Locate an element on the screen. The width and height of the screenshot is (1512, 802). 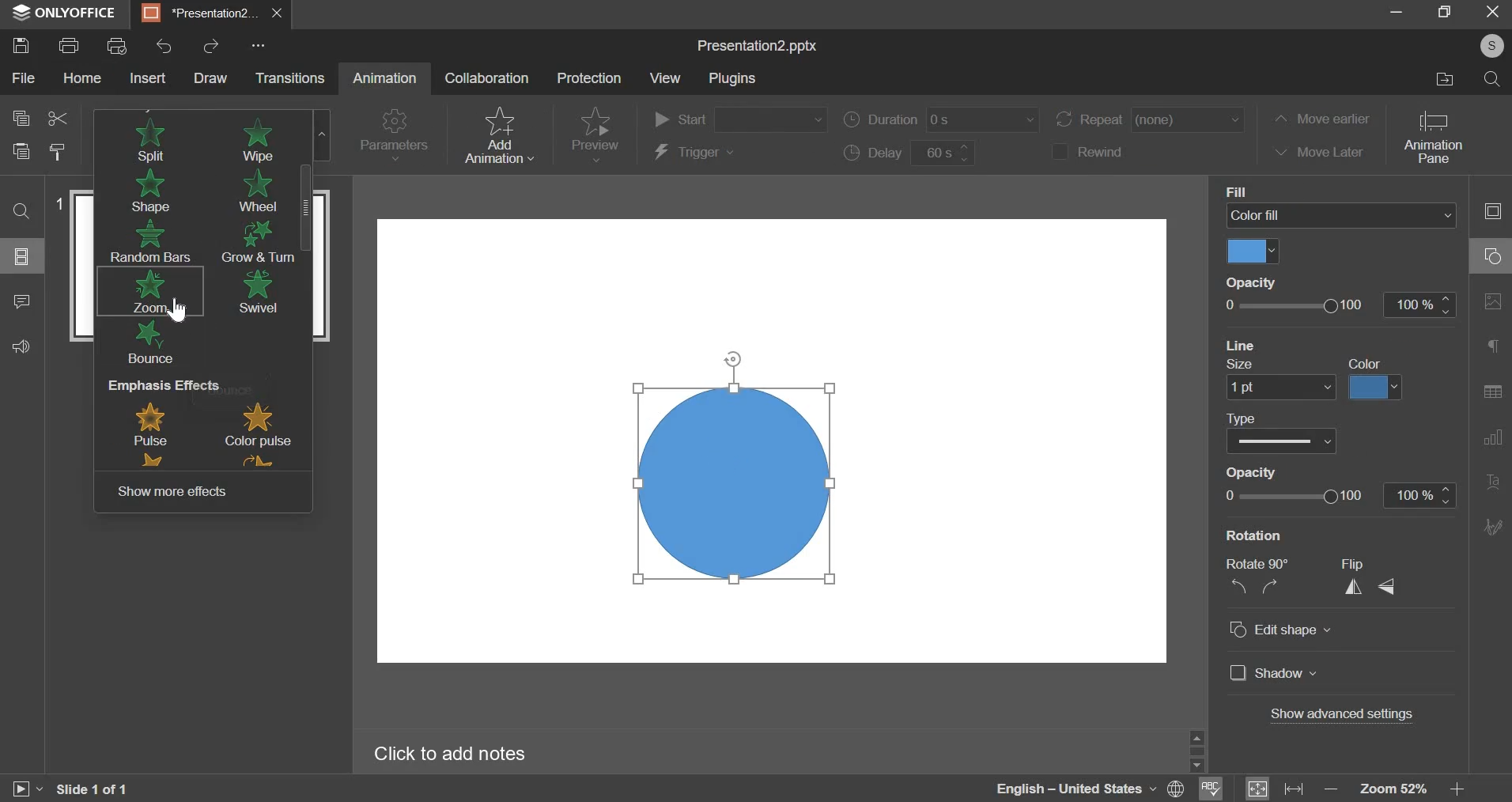
cursor is located at coordinates (179, 312).